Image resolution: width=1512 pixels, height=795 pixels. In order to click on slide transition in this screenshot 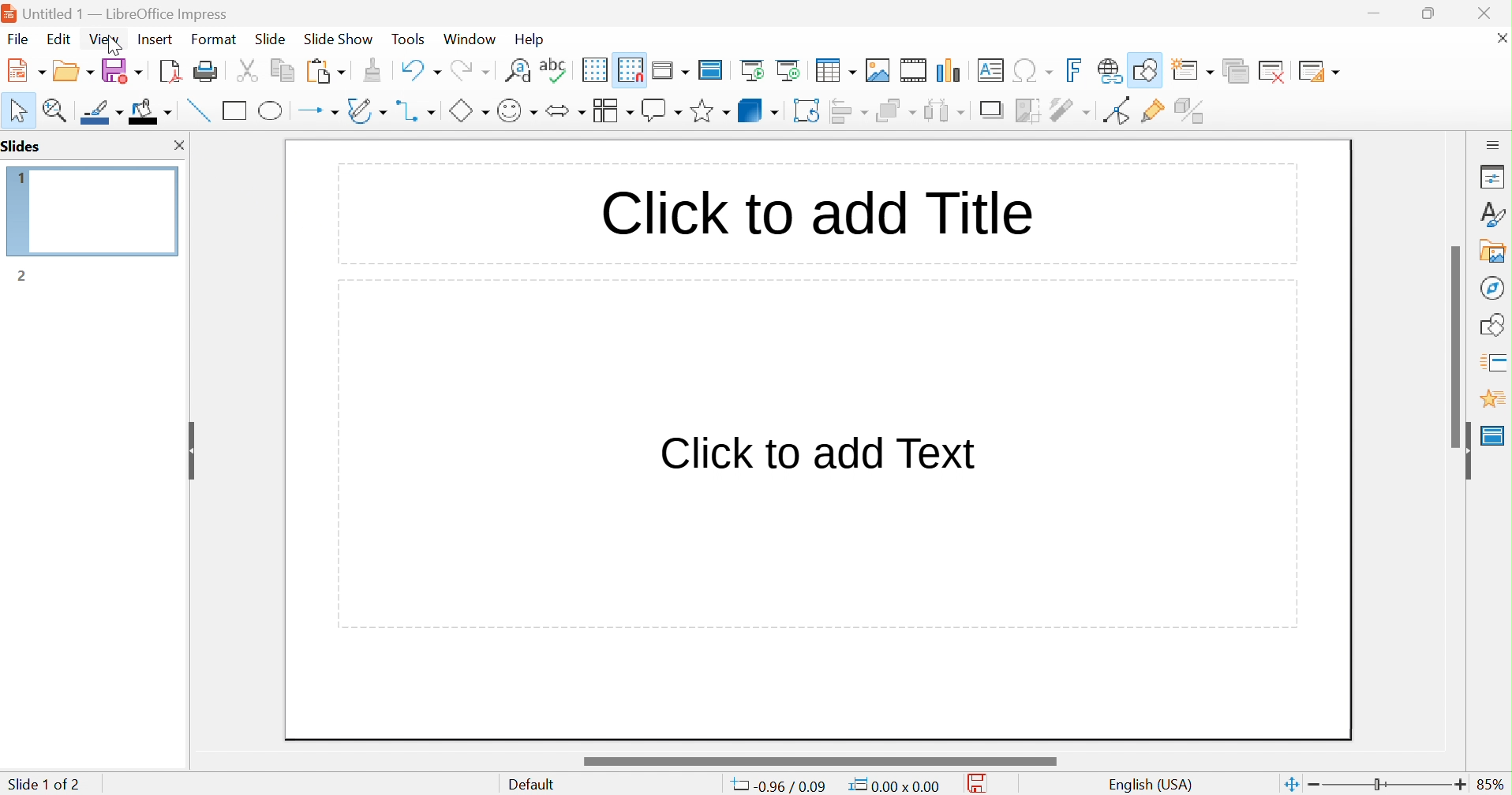, I will do `click(1496, 360)`.